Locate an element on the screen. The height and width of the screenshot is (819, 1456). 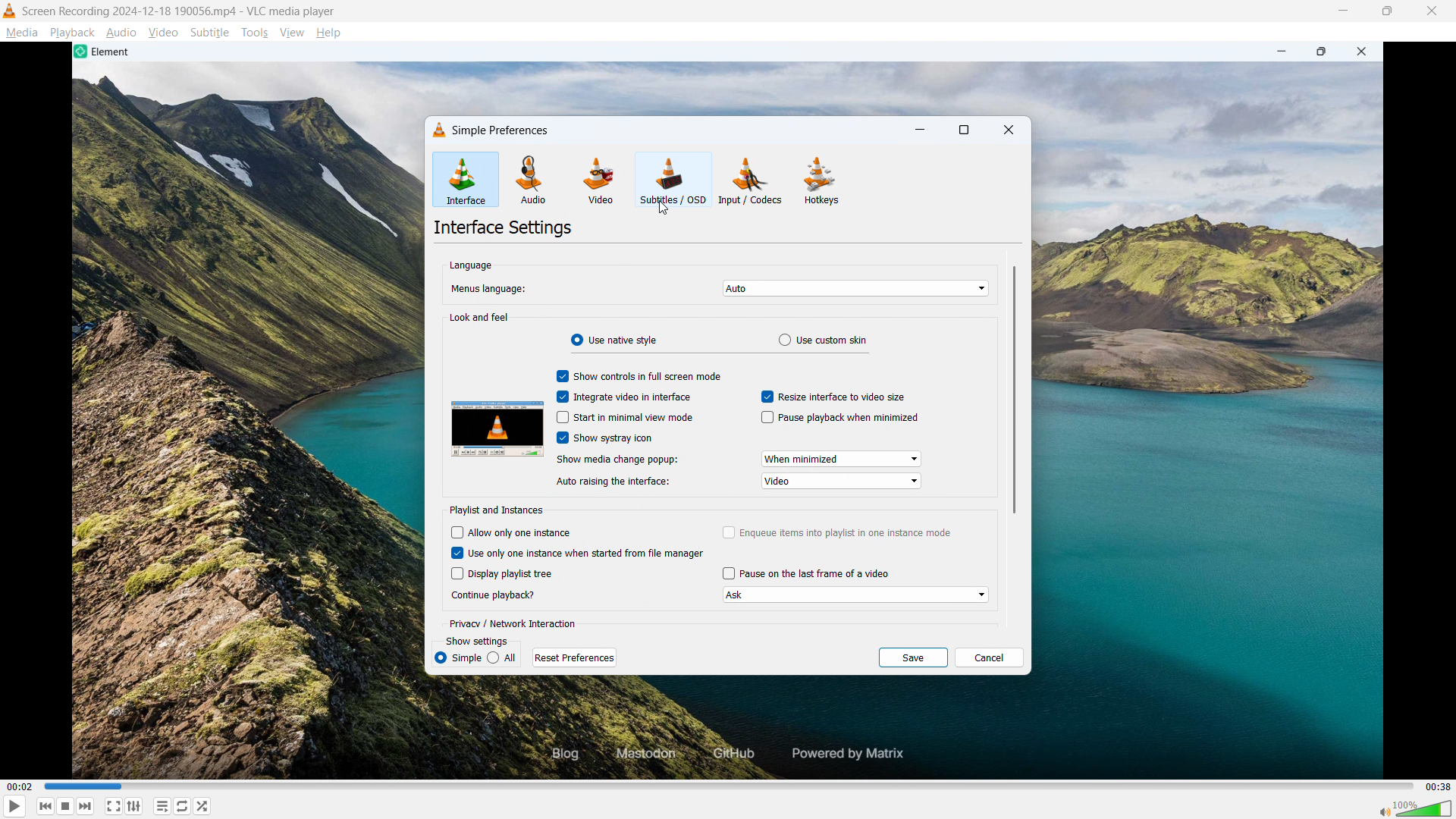
When minimized is located at coordinates (843, 459).